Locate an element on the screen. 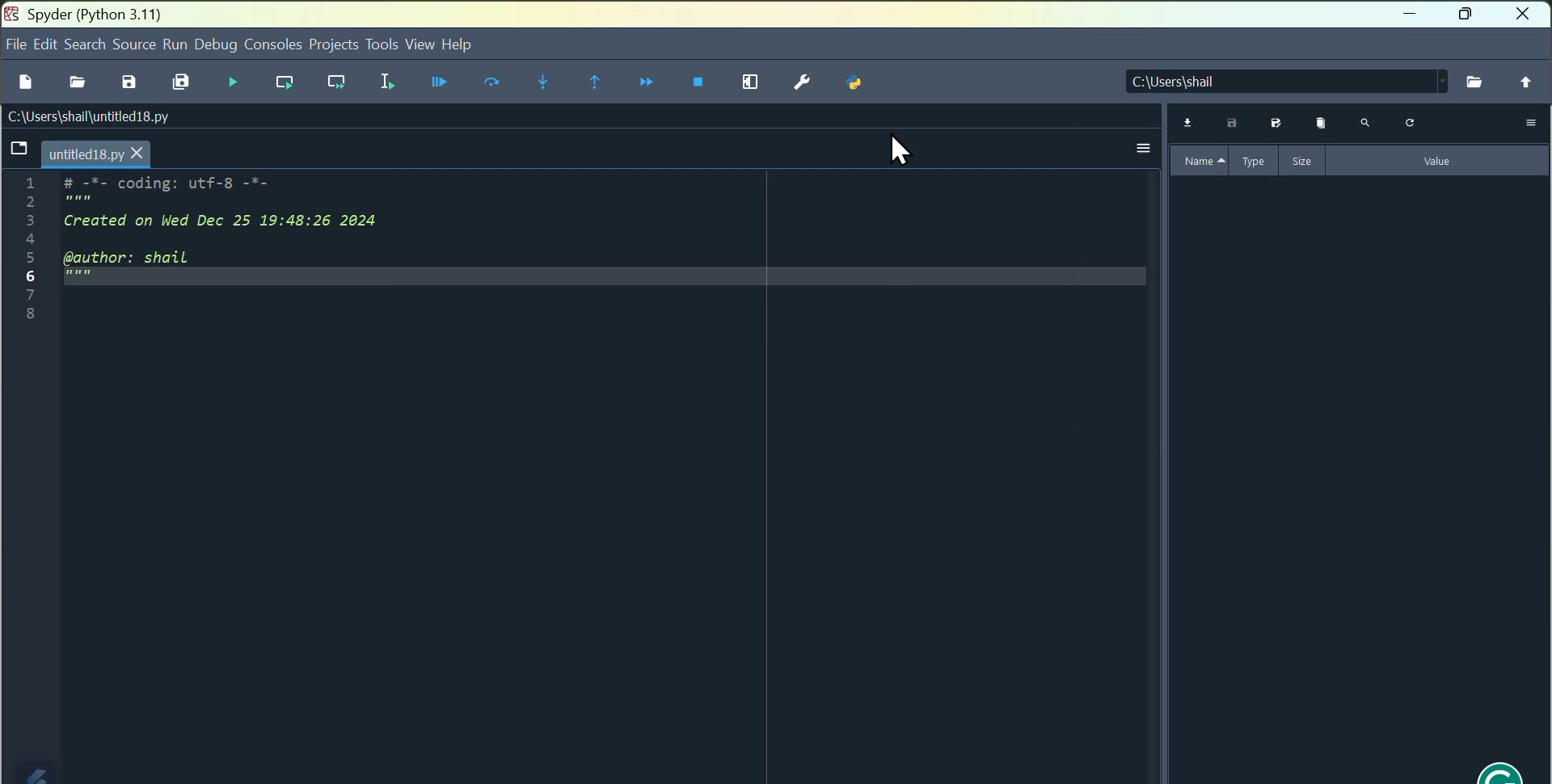  C:\Users\shail\untitled18.py is located at coordinates (86, 115).